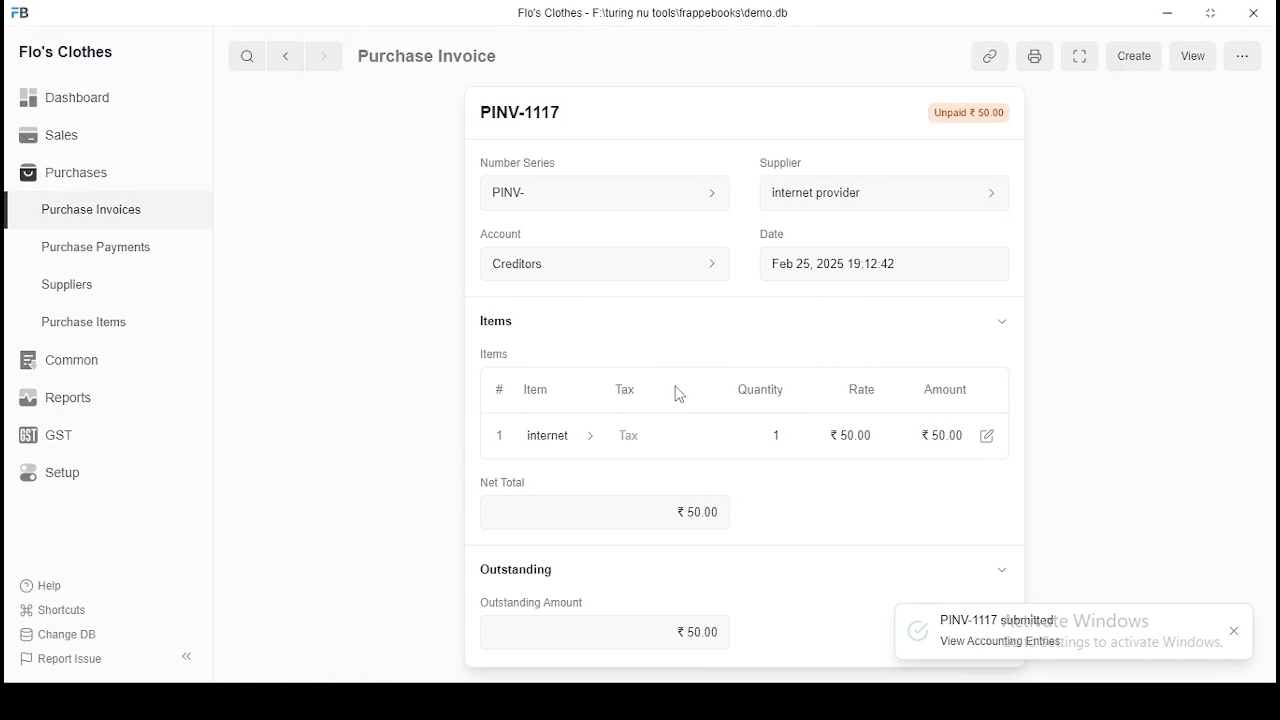 The image size is (1280, 720). I want to click on icon, so click(21, 13).